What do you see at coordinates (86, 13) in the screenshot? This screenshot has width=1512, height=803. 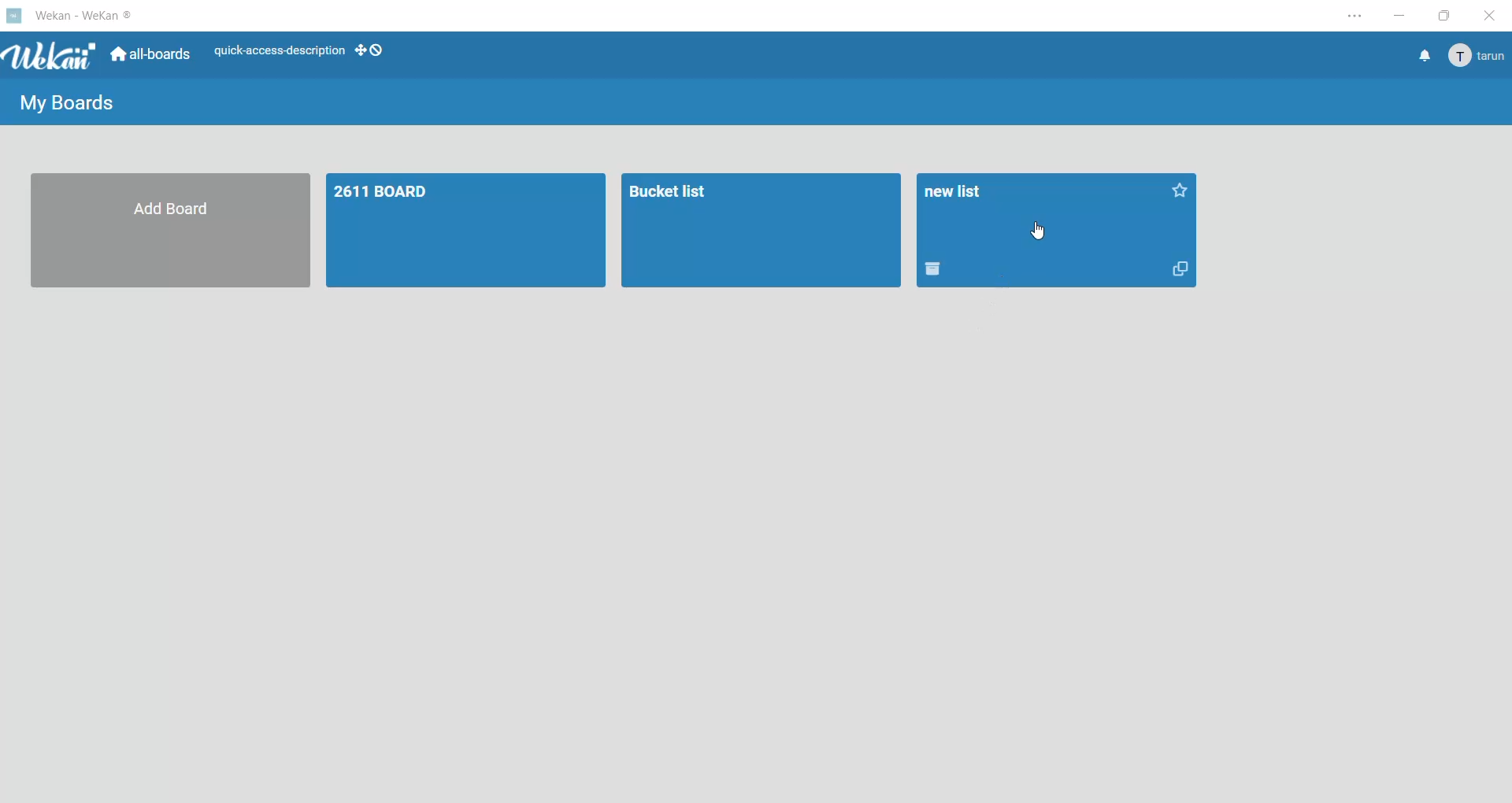 I see `app name ` at bounding box center [86, 13].